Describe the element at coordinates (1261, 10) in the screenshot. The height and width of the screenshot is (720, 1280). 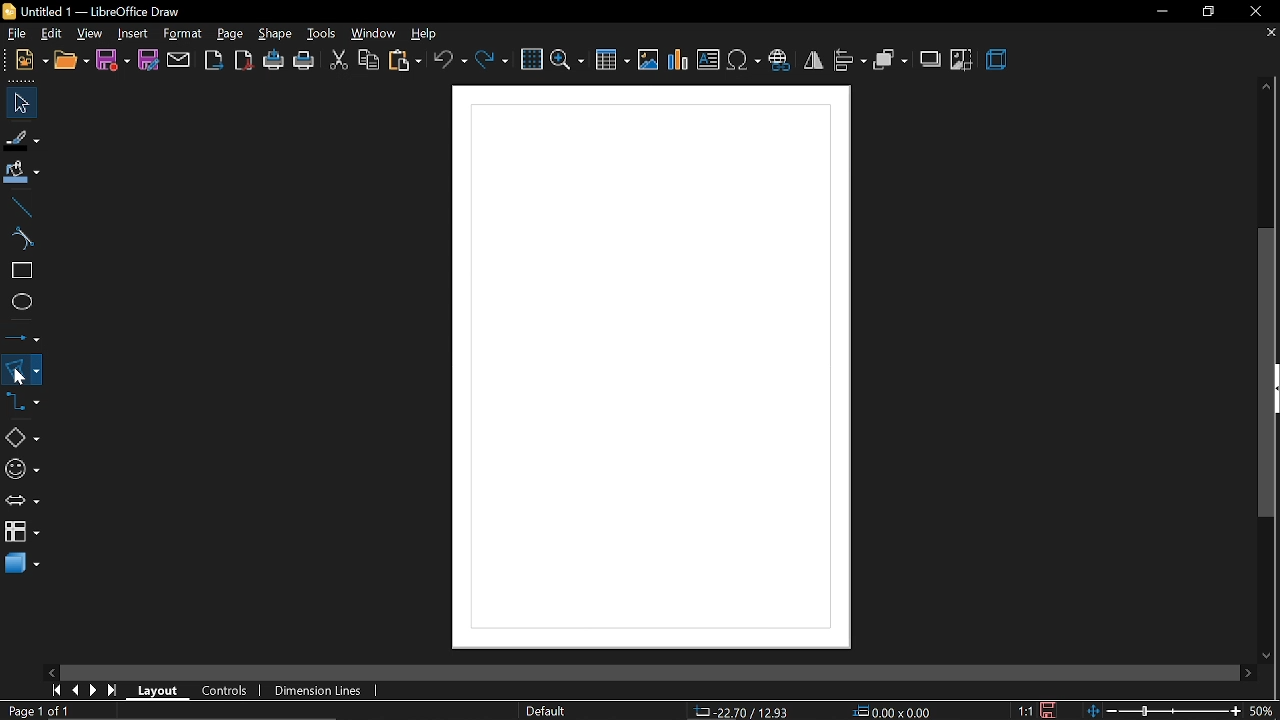
I see `close` at that location.